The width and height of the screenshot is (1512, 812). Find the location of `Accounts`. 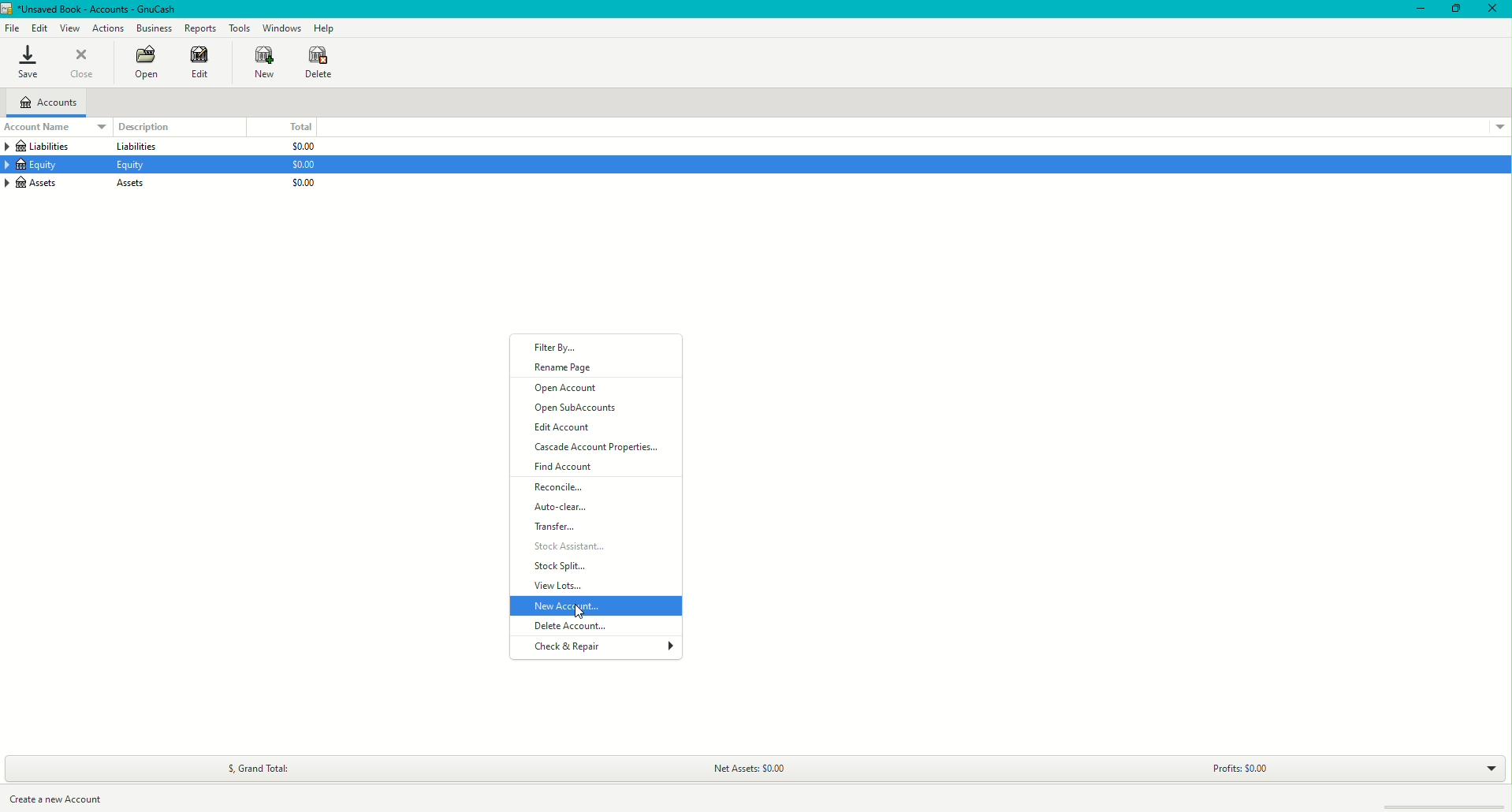

Accounts is located at coordinates (48, 102).